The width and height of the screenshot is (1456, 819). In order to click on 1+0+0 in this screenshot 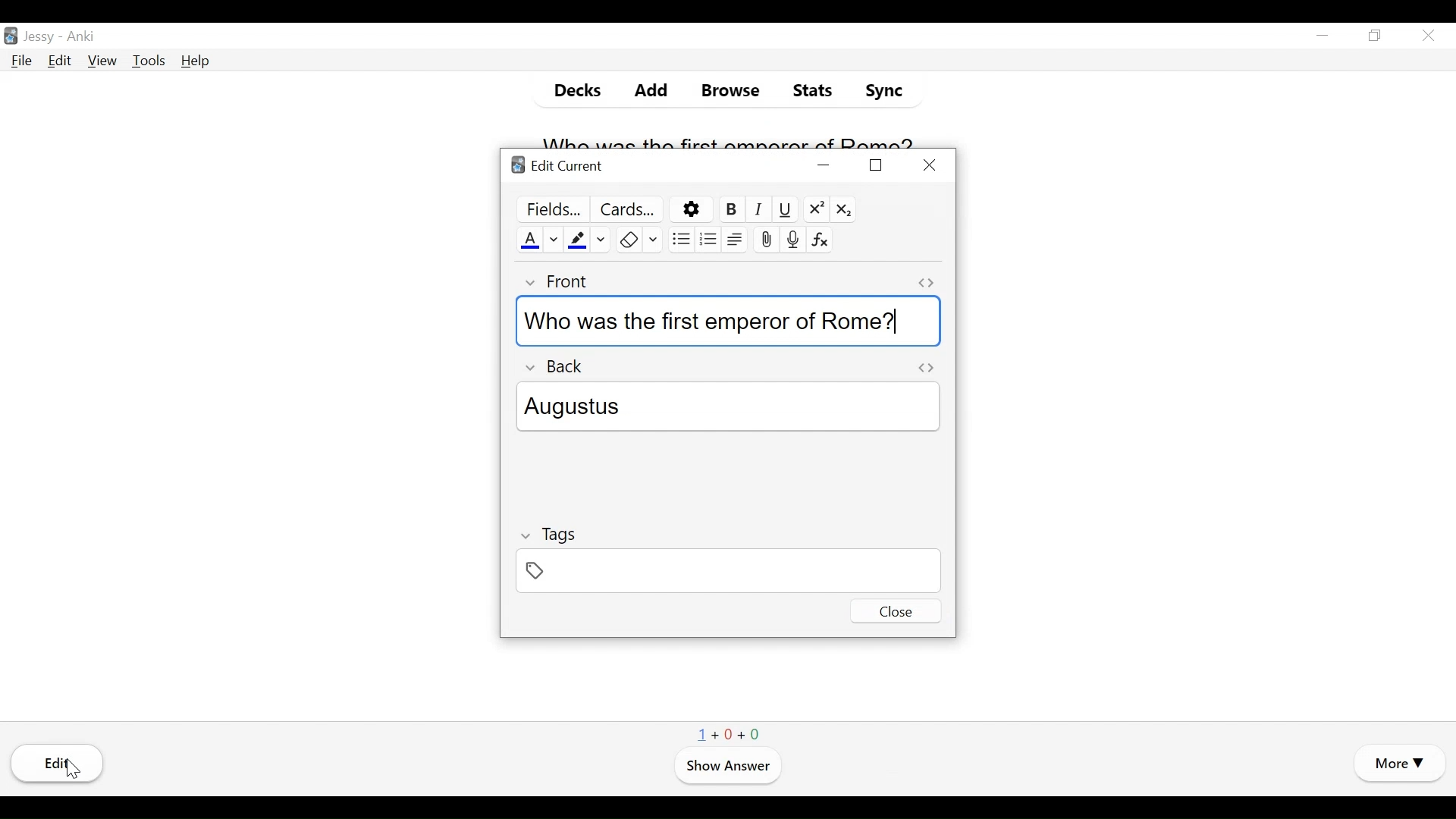, I will do `click(730, 732)`.